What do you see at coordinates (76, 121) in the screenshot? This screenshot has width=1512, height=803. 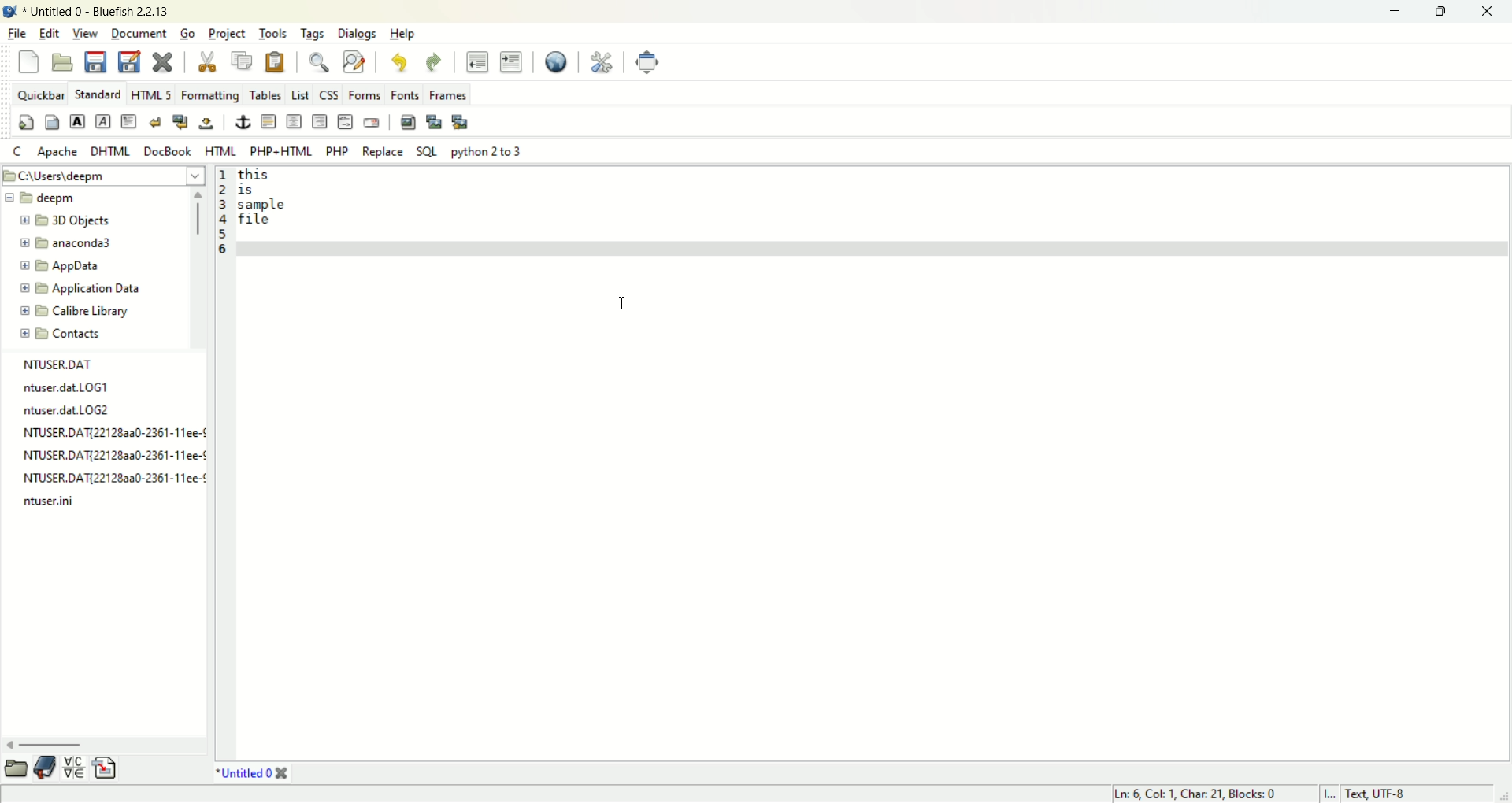 I see `strong` at bounding box center [76, 121].